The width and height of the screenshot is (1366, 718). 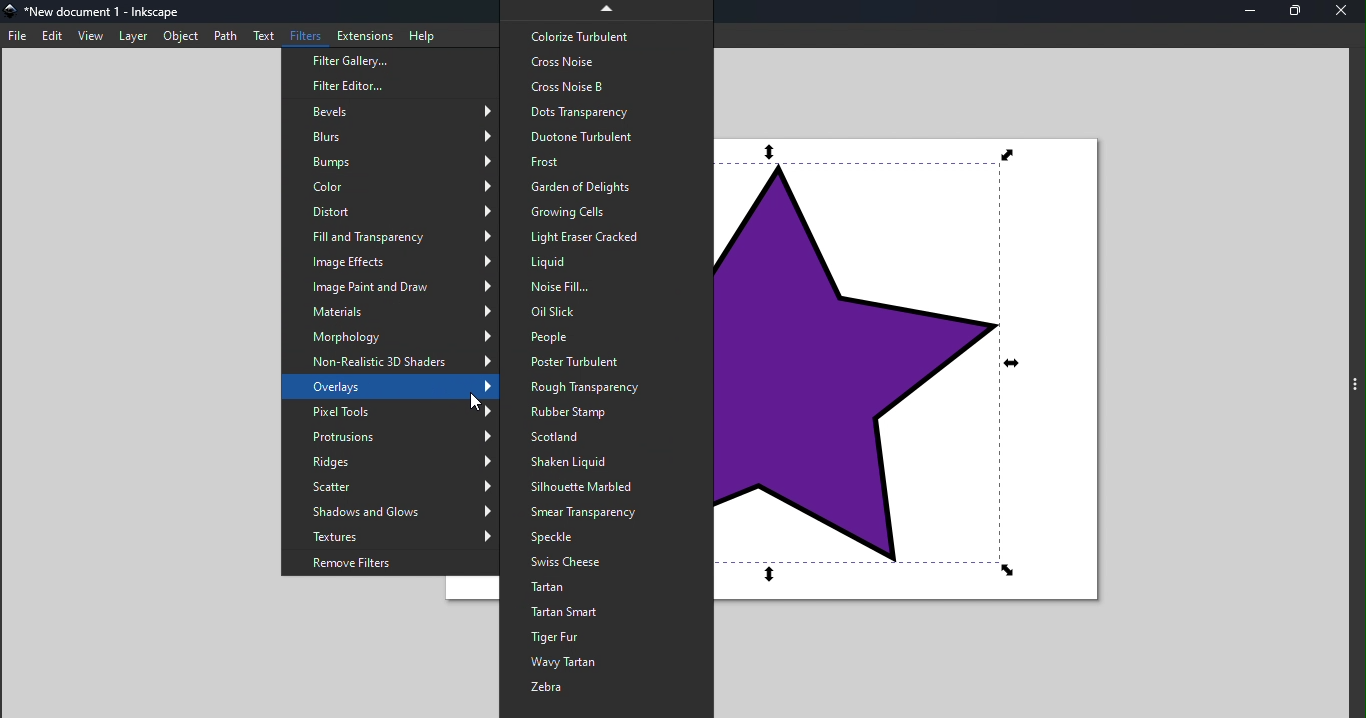 What do you see at coordinates (393, 561) in the screenshot?
I see `Remove filters` at bounding box center [393, 561].